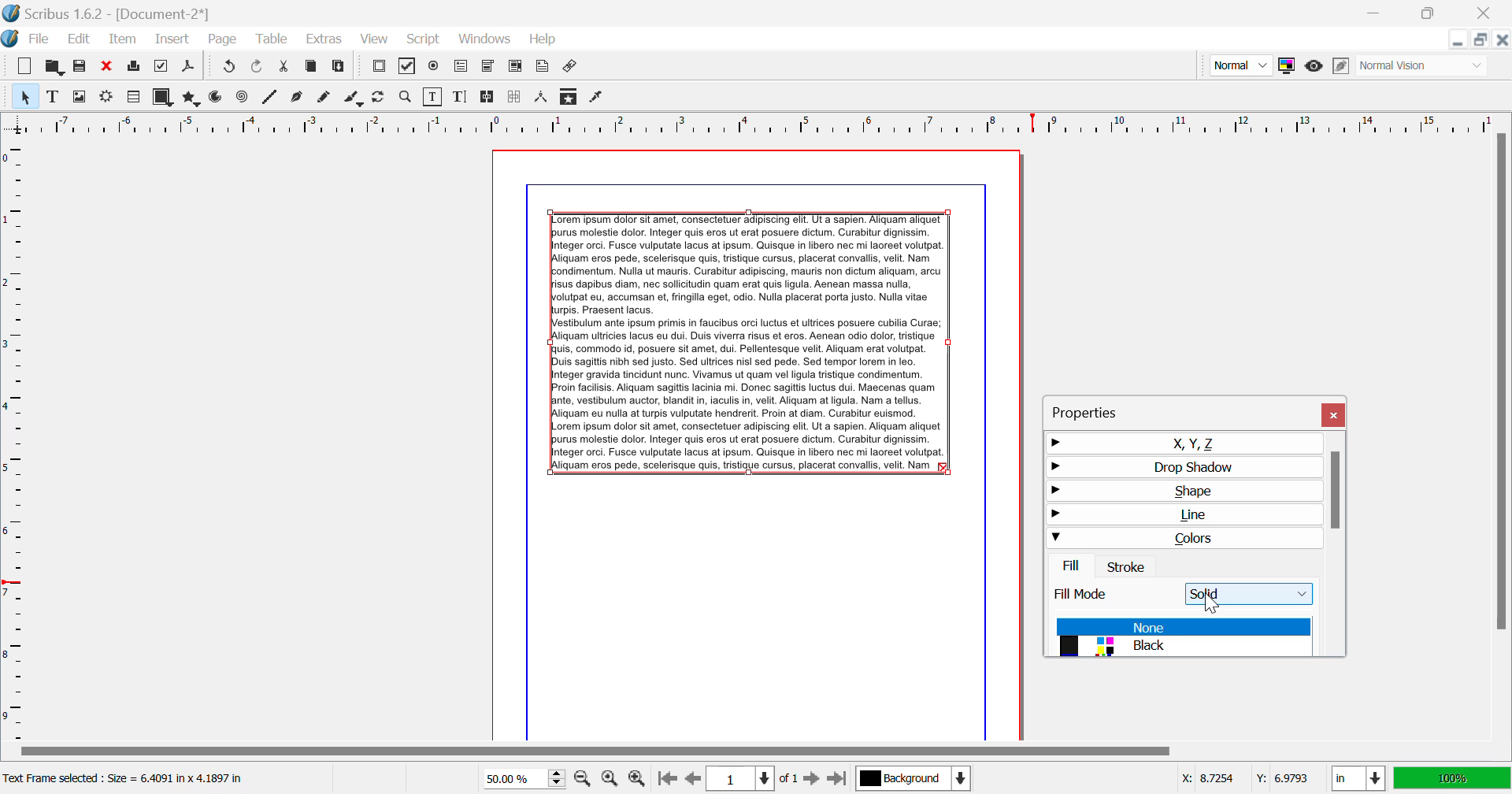  I want to click on Link Annotation, so click(572, 68).